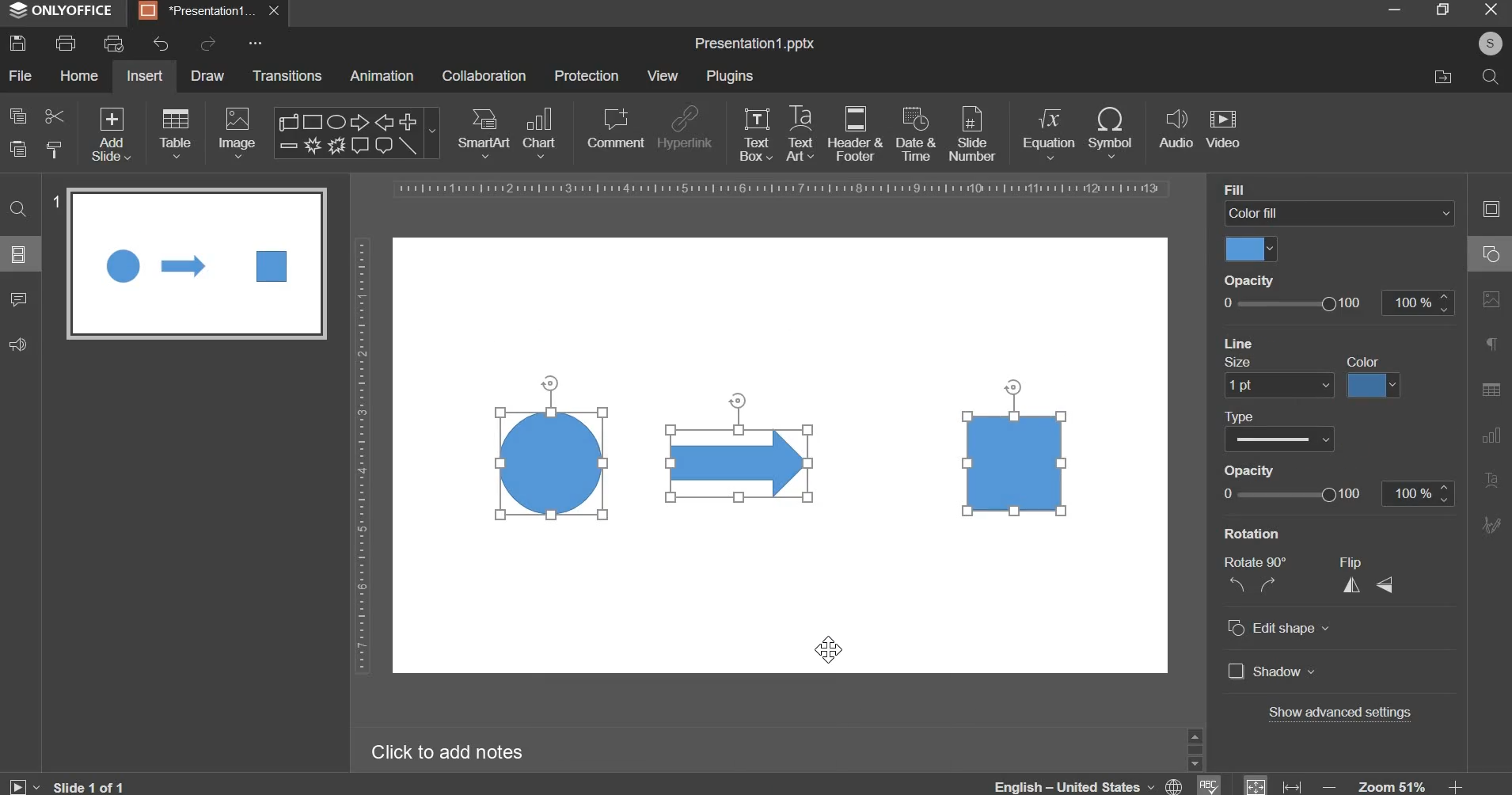 The width and height of the screenshot is (1512, 795). I want to click on plugins, so click(729, 76).